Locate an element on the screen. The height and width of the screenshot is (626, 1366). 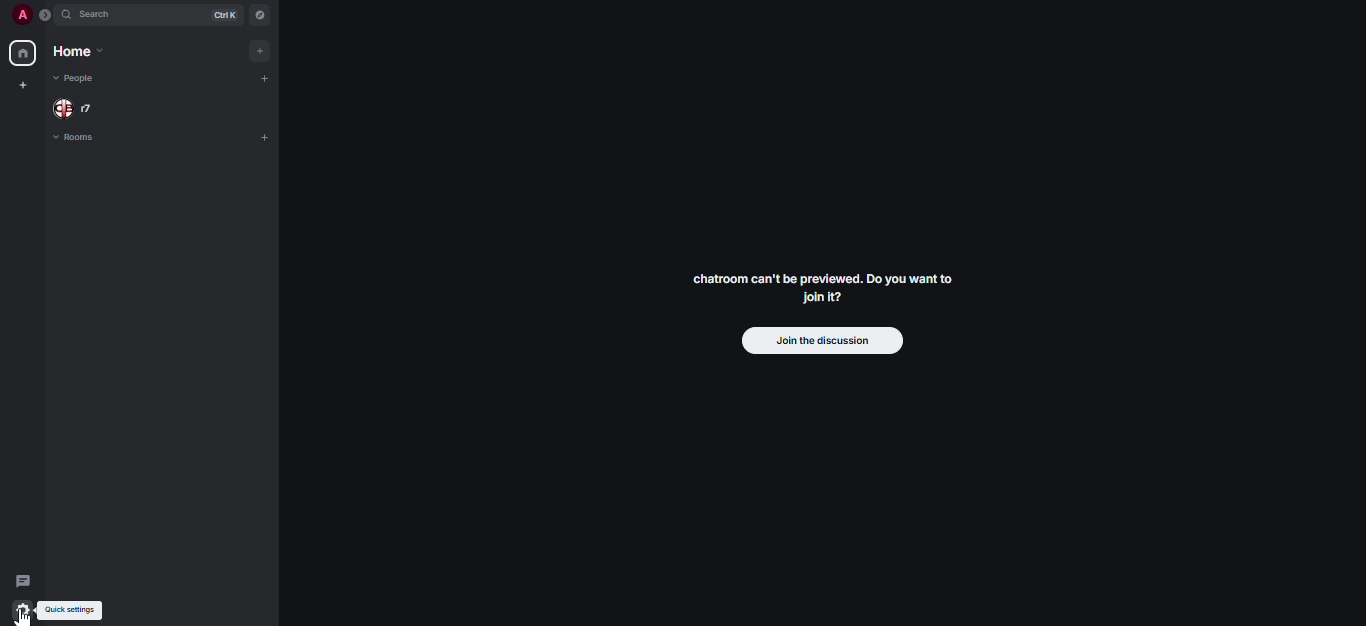
add is located at coordinates (266, 135).